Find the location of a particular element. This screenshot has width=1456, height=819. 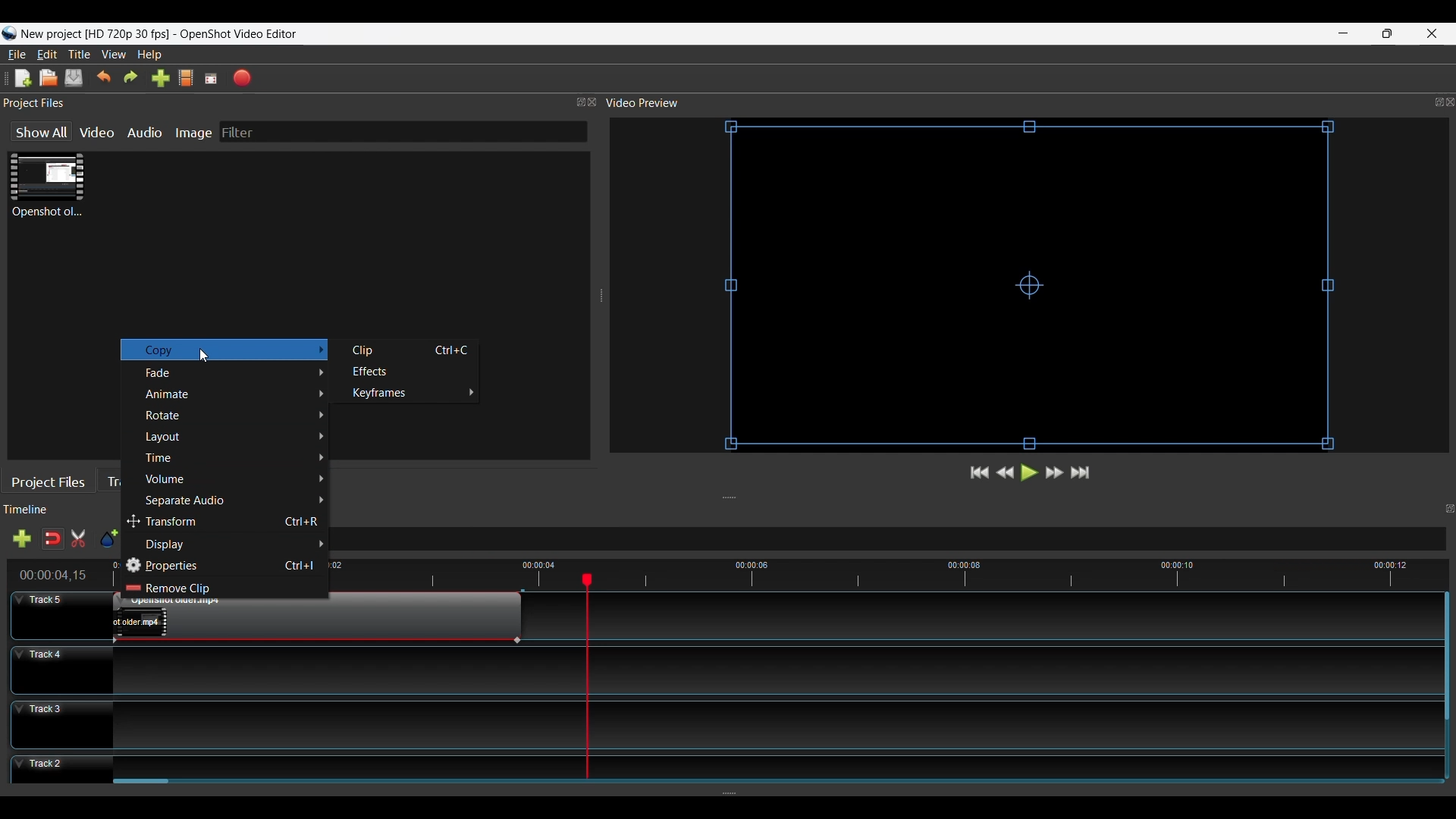

Jump to Forward is located at coordinates (980, 474).